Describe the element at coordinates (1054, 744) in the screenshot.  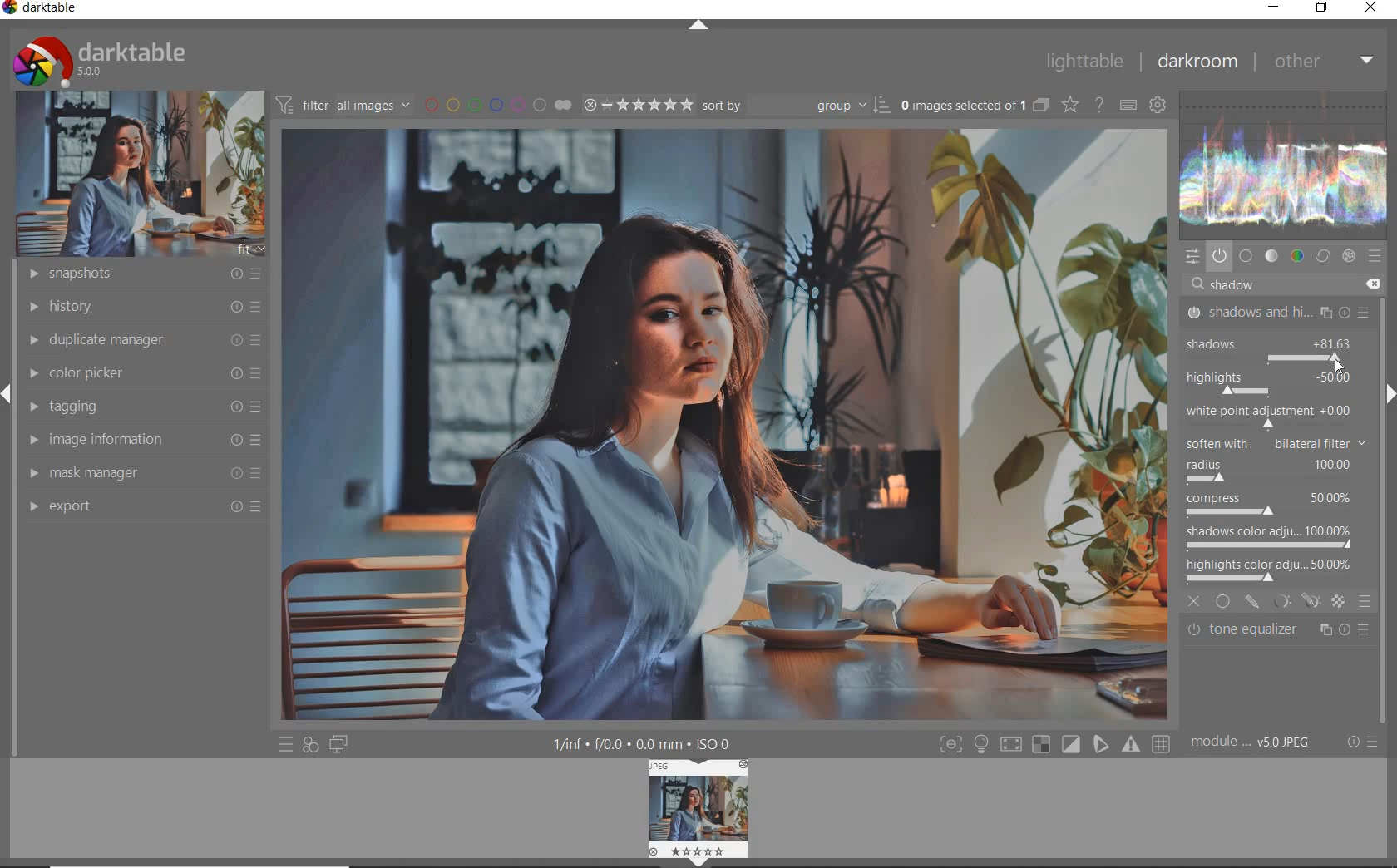
I see `toggle modes` at that location.